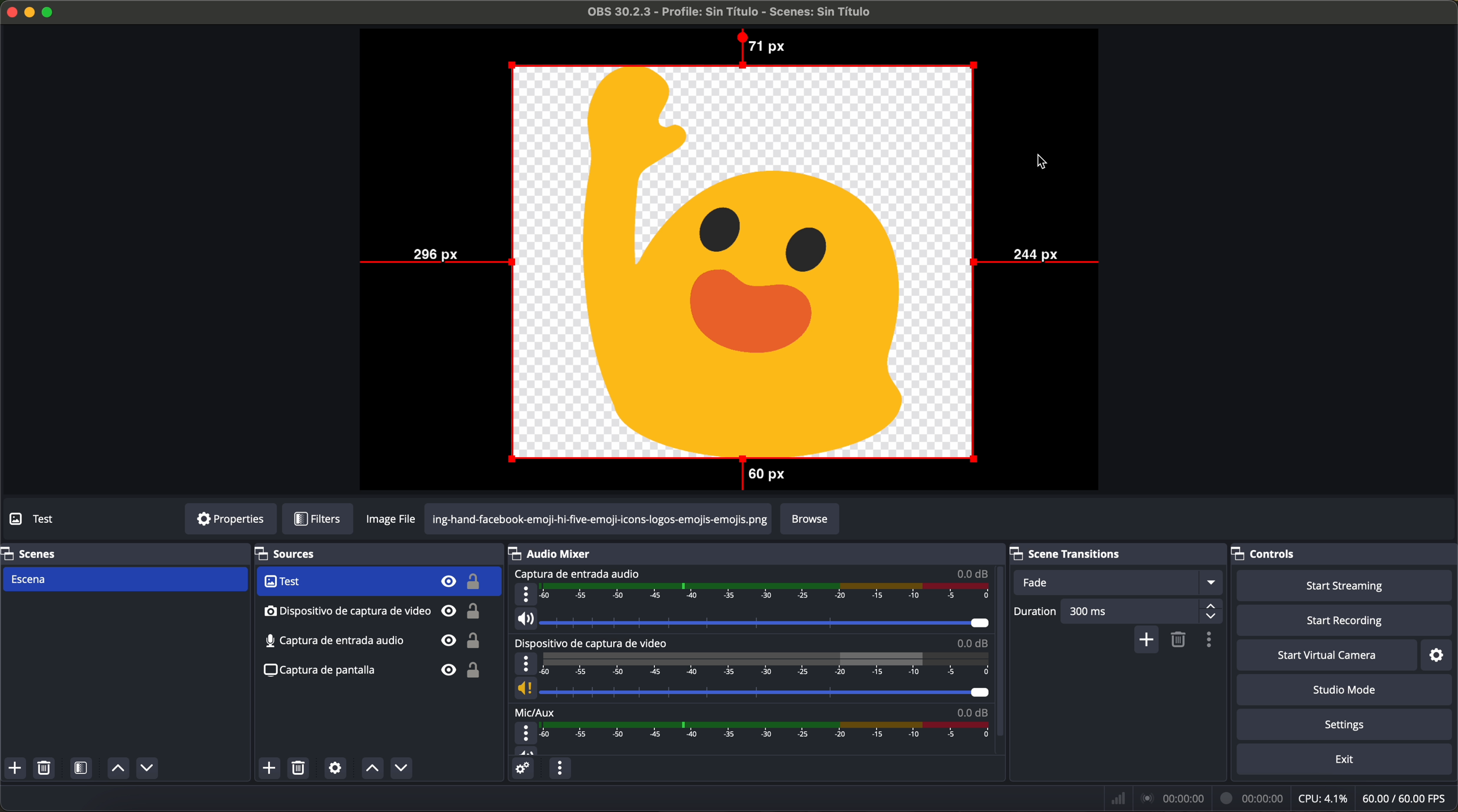  Describe the element at coordinates (1348, 725) in the screenshot. I see `settings` at that location.